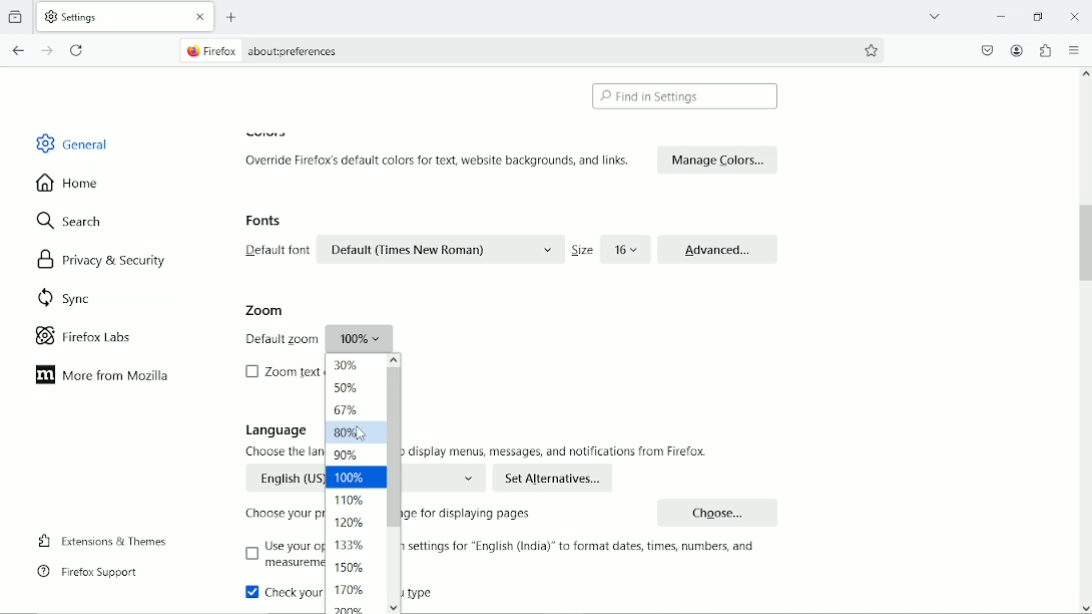  Describe the element at coordinates (352, 590) in the screenshot. I see `170%` at that location.